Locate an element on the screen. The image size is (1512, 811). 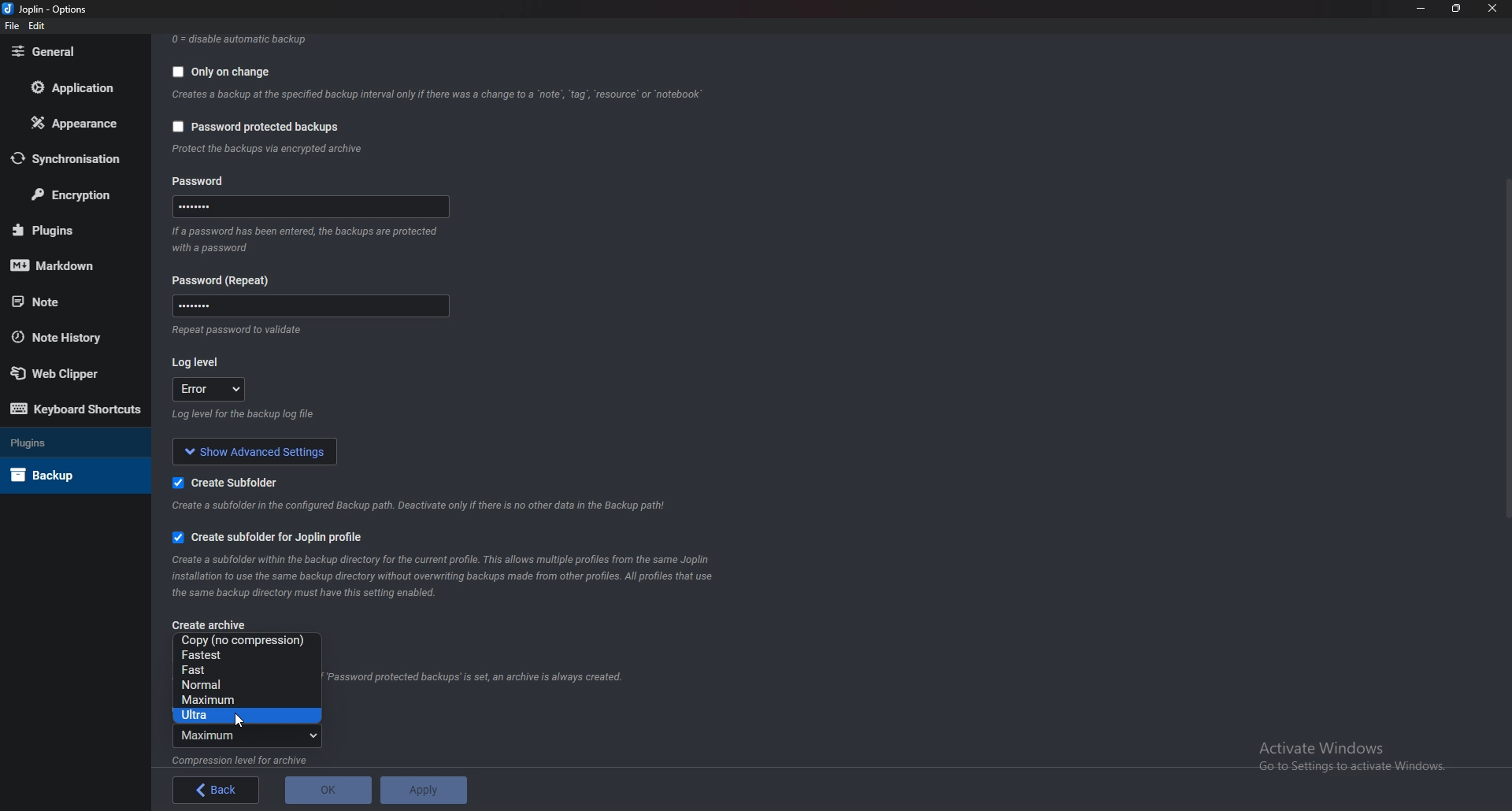
Apply is located at coordinates (422, 788).